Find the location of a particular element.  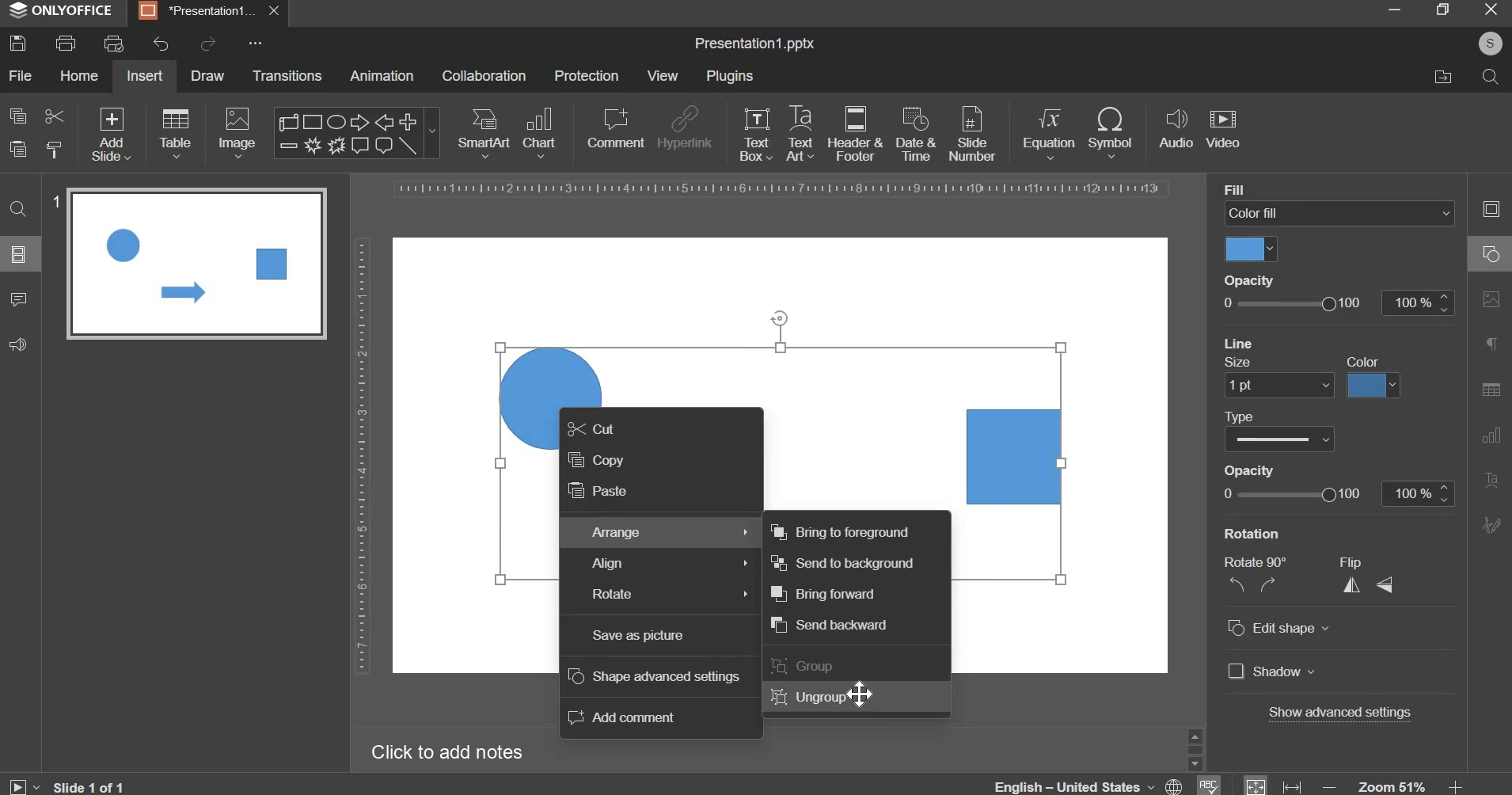

animation is located at coordinates (382, 75).